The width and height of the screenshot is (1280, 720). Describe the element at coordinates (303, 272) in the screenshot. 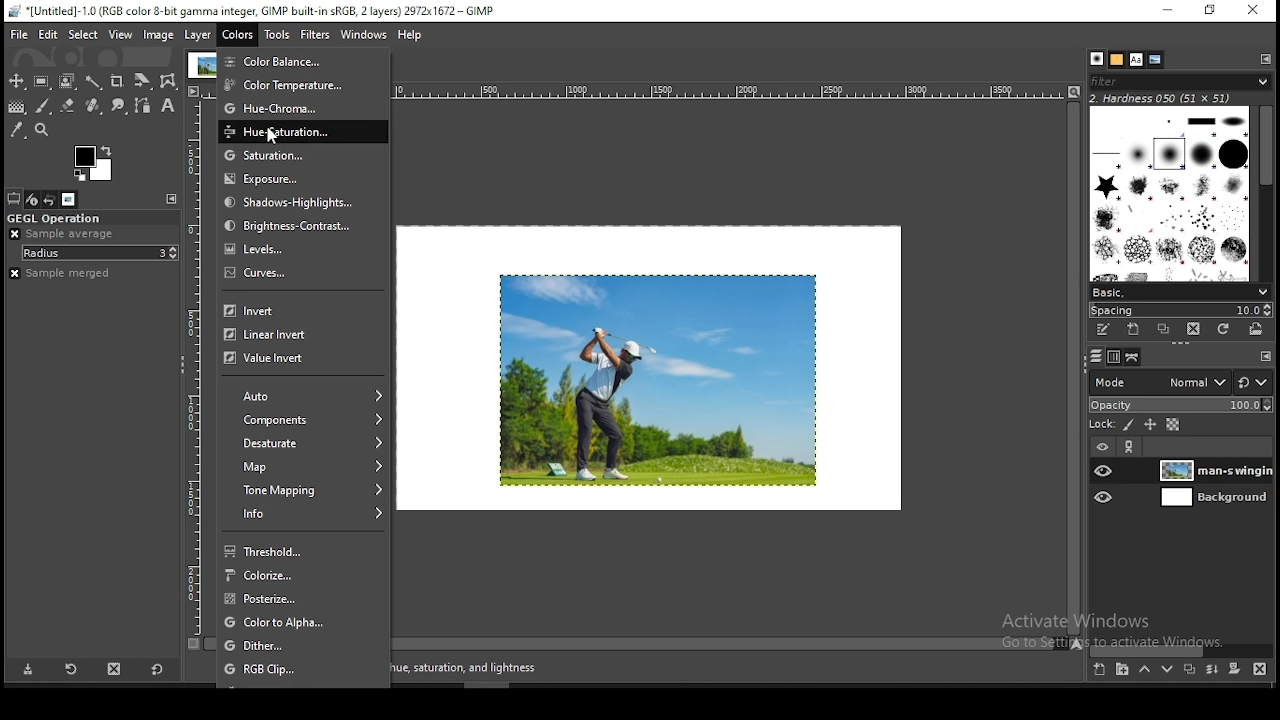

I see `curves` at that location.